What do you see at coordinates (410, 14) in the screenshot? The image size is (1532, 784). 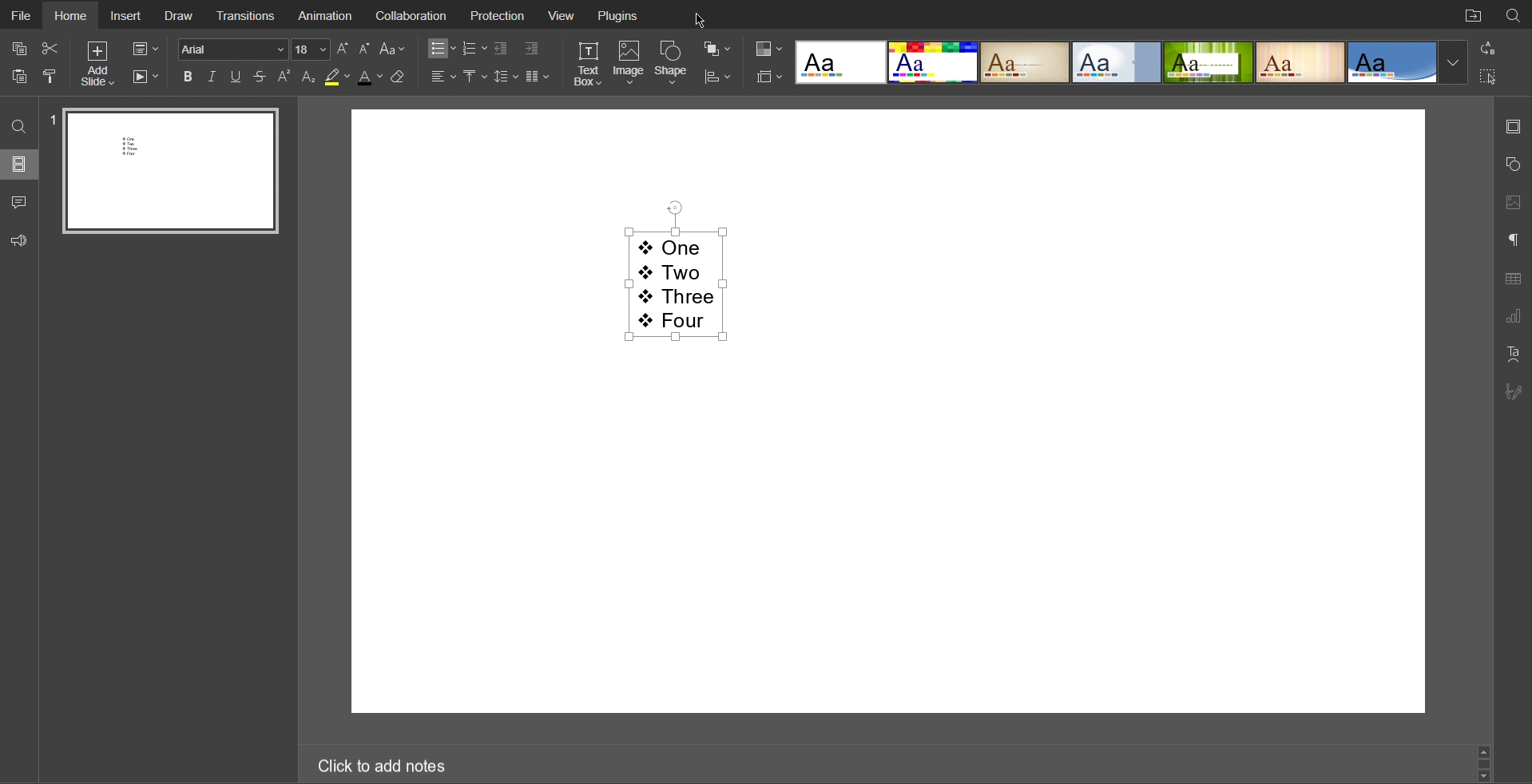 I see `Collaboration` at bounding box center [410, 14].